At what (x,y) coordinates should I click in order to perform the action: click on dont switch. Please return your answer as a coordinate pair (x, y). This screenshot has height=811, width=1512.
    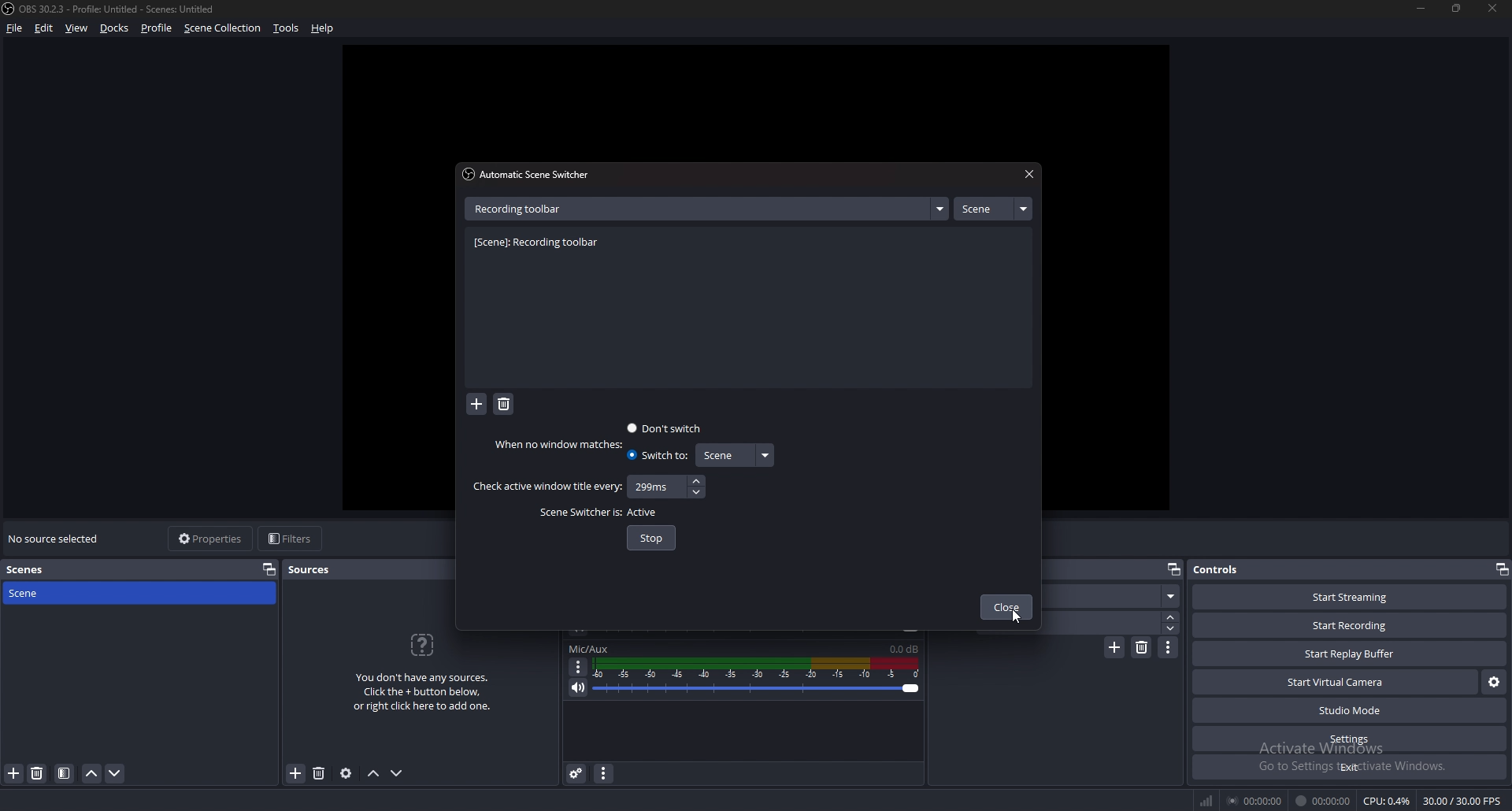
    Looking at the image, I should click on (666, 428).